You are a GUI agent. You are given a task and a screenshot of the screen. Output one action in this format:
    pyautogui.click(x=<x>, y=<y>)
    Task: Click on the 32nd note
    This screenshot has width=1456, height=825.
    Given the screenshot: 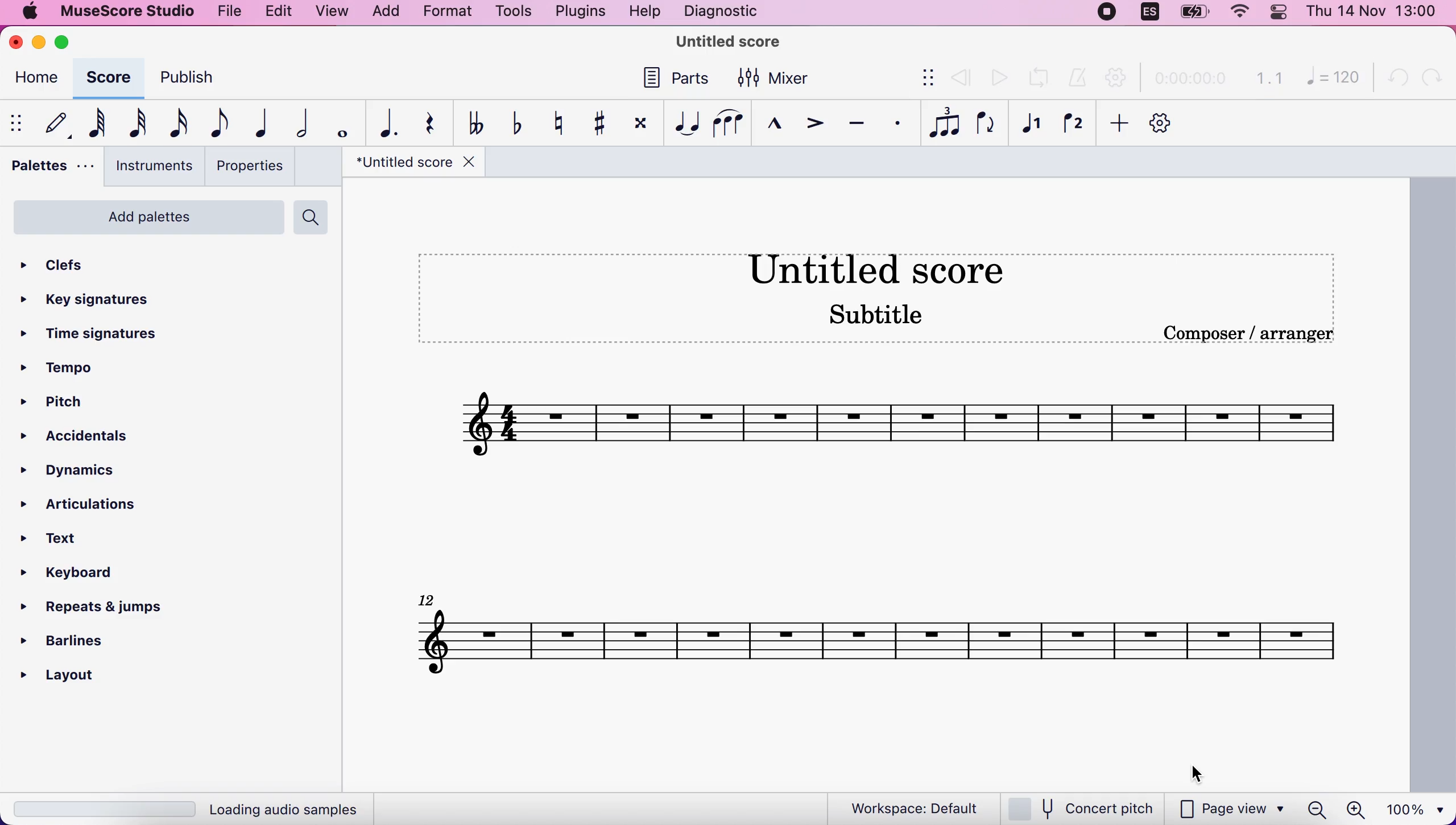 What is the action you would take?
    pyautogui.click(x=138, y=122)
    